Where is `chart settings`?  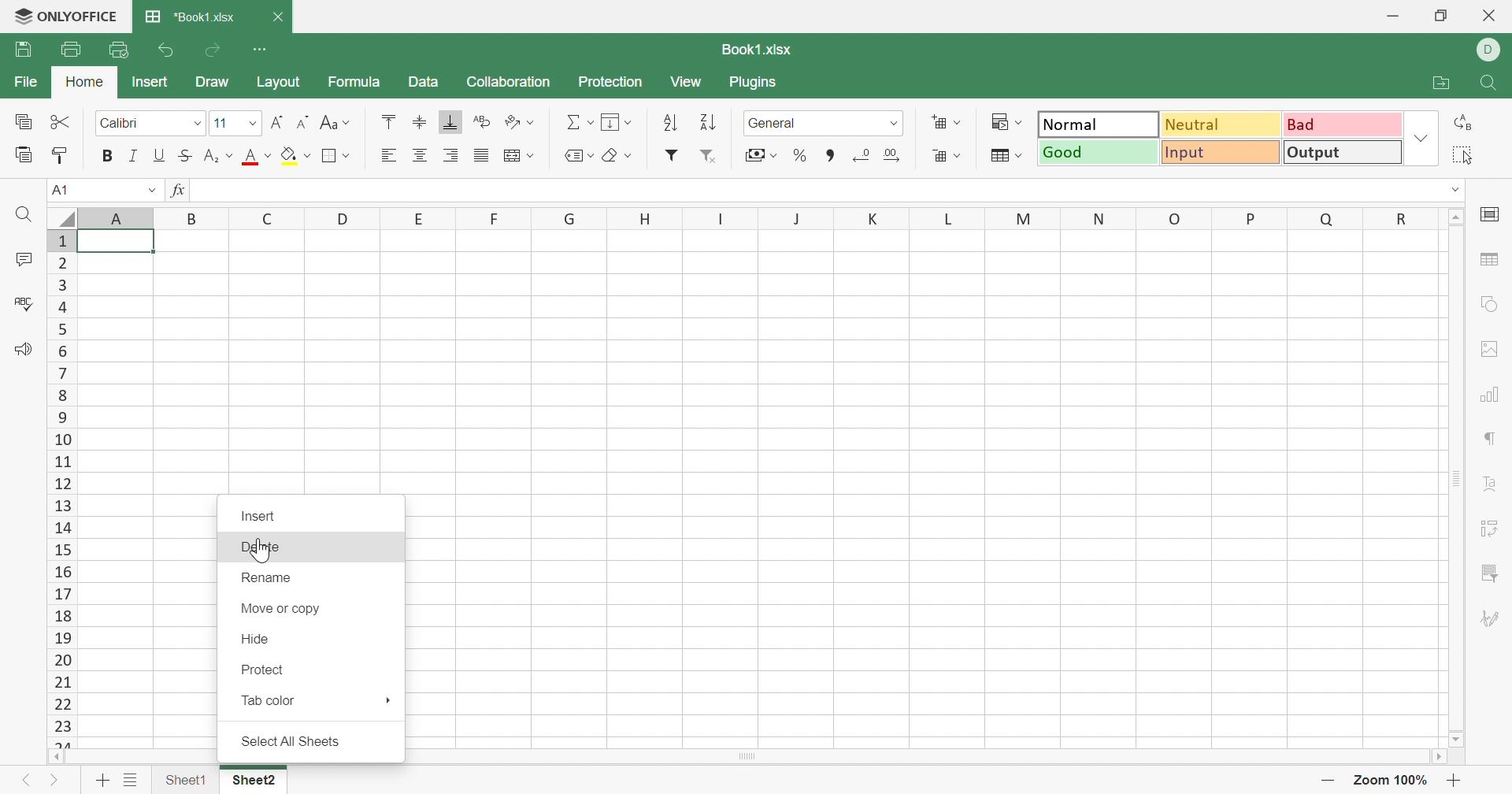
chart settings is located at coordinates (1492, 394).